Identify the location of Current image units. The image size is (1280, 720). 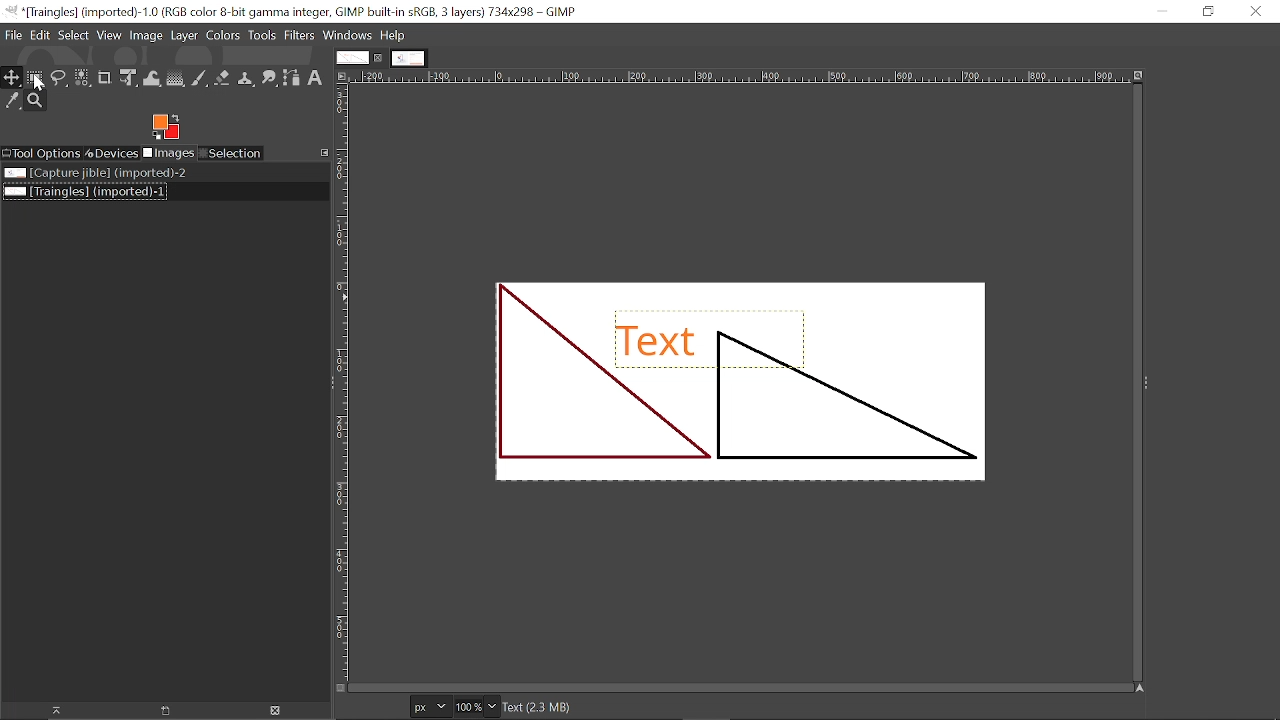
(426, 707).